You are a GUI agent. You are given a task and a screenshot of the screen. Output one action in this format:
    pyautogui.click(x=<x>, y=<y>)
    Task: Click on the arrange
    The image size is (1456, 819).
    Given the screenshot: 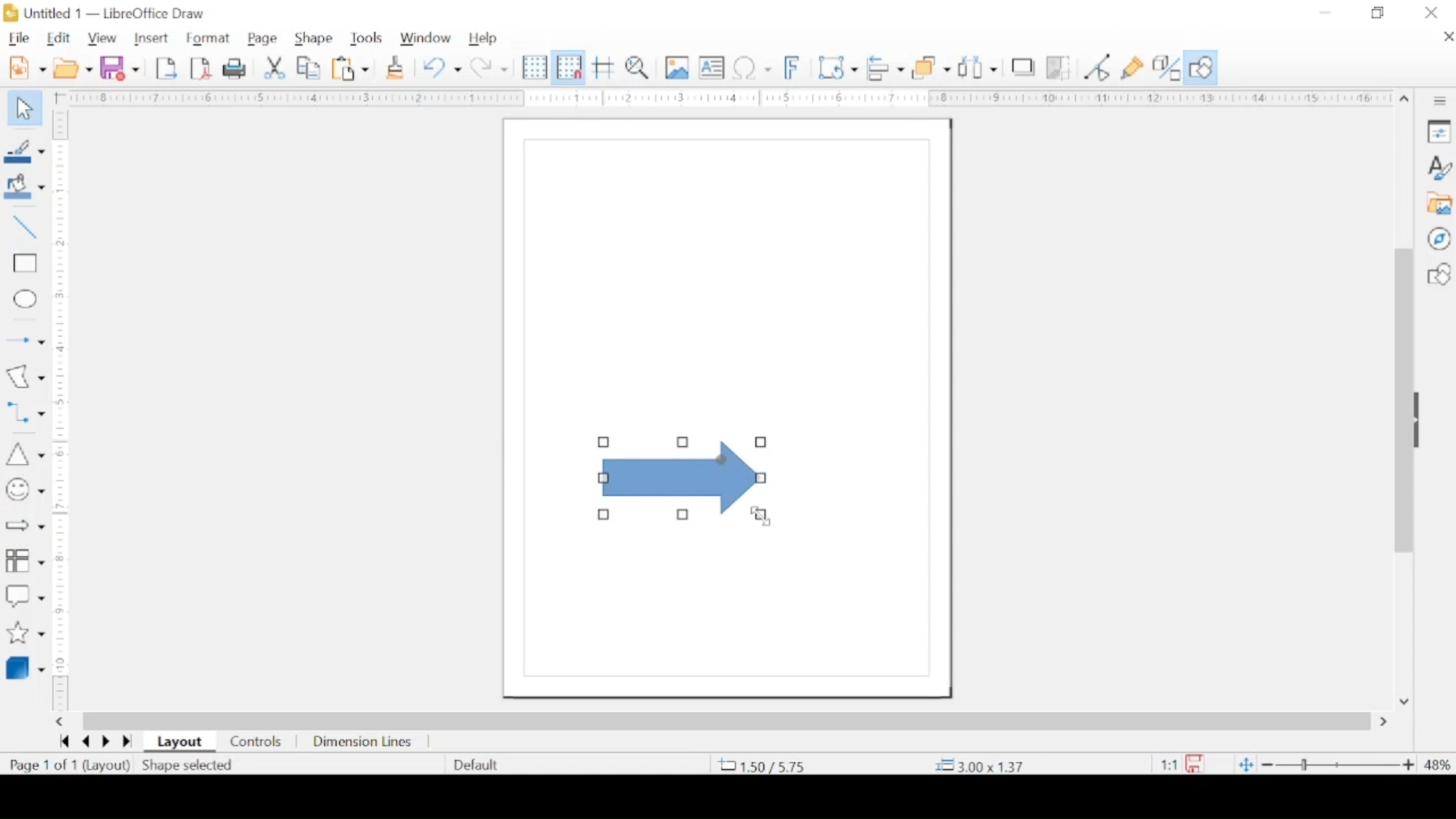 What is the action you would take?
    pyautogui.click(x=933, y=66)
    